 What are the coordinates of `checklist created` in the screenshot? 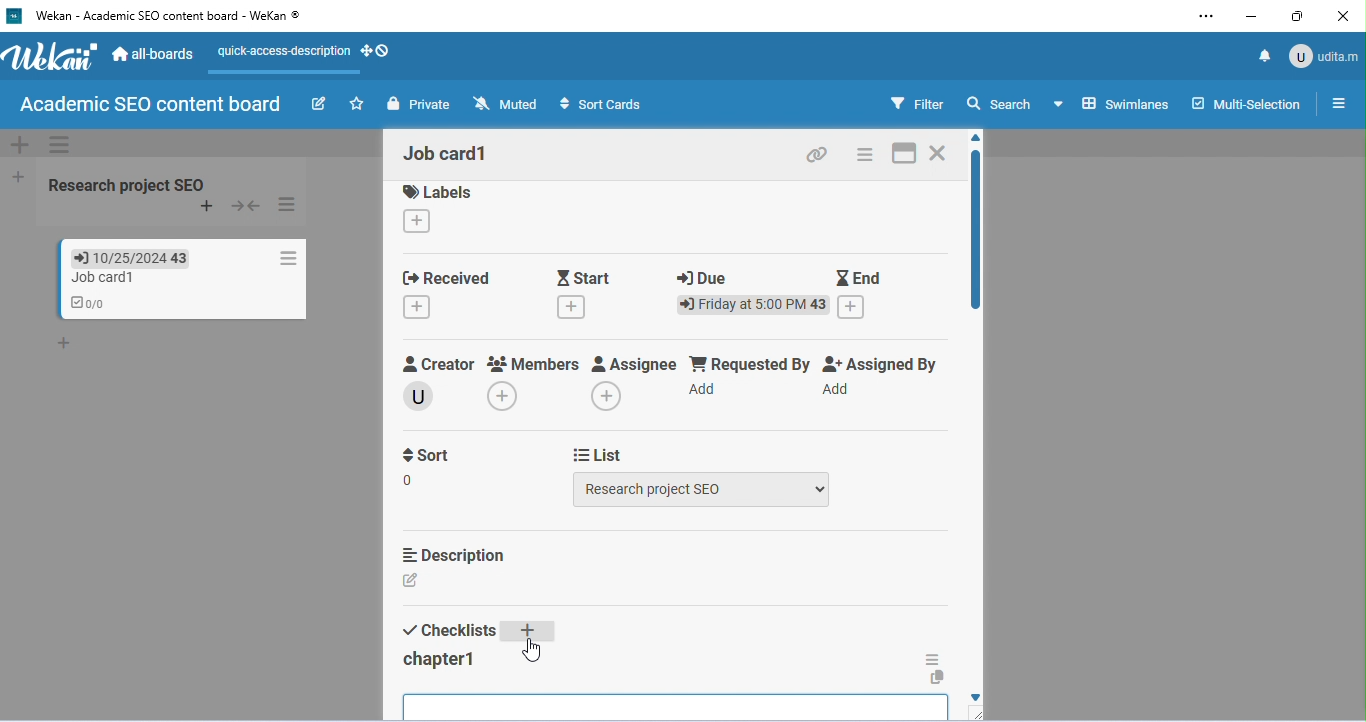 It's located at (87, 301).